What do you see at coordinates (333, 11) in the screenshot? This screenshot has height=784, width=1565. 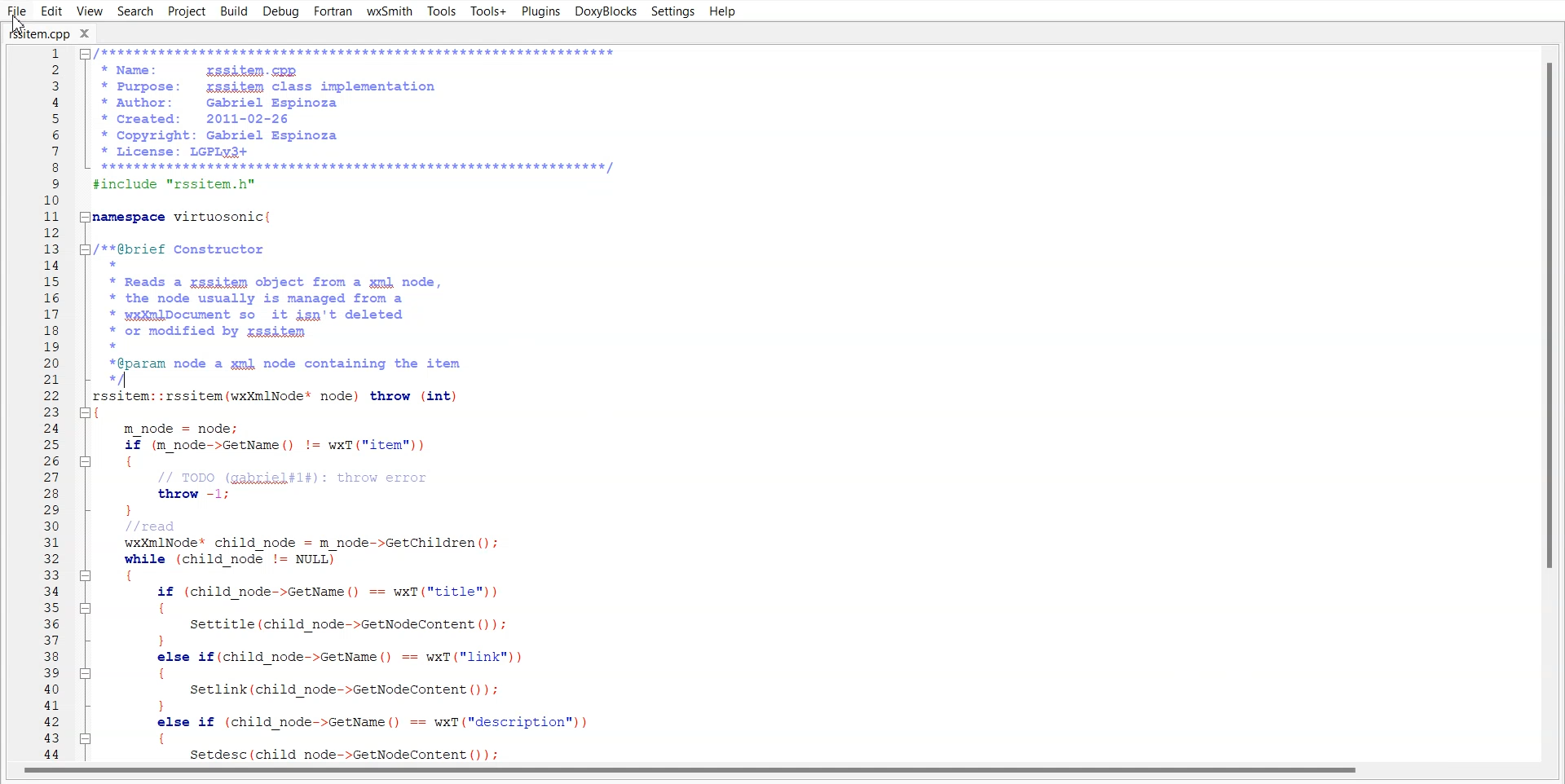 I see `Fortran` at bounding box center [333, 11].